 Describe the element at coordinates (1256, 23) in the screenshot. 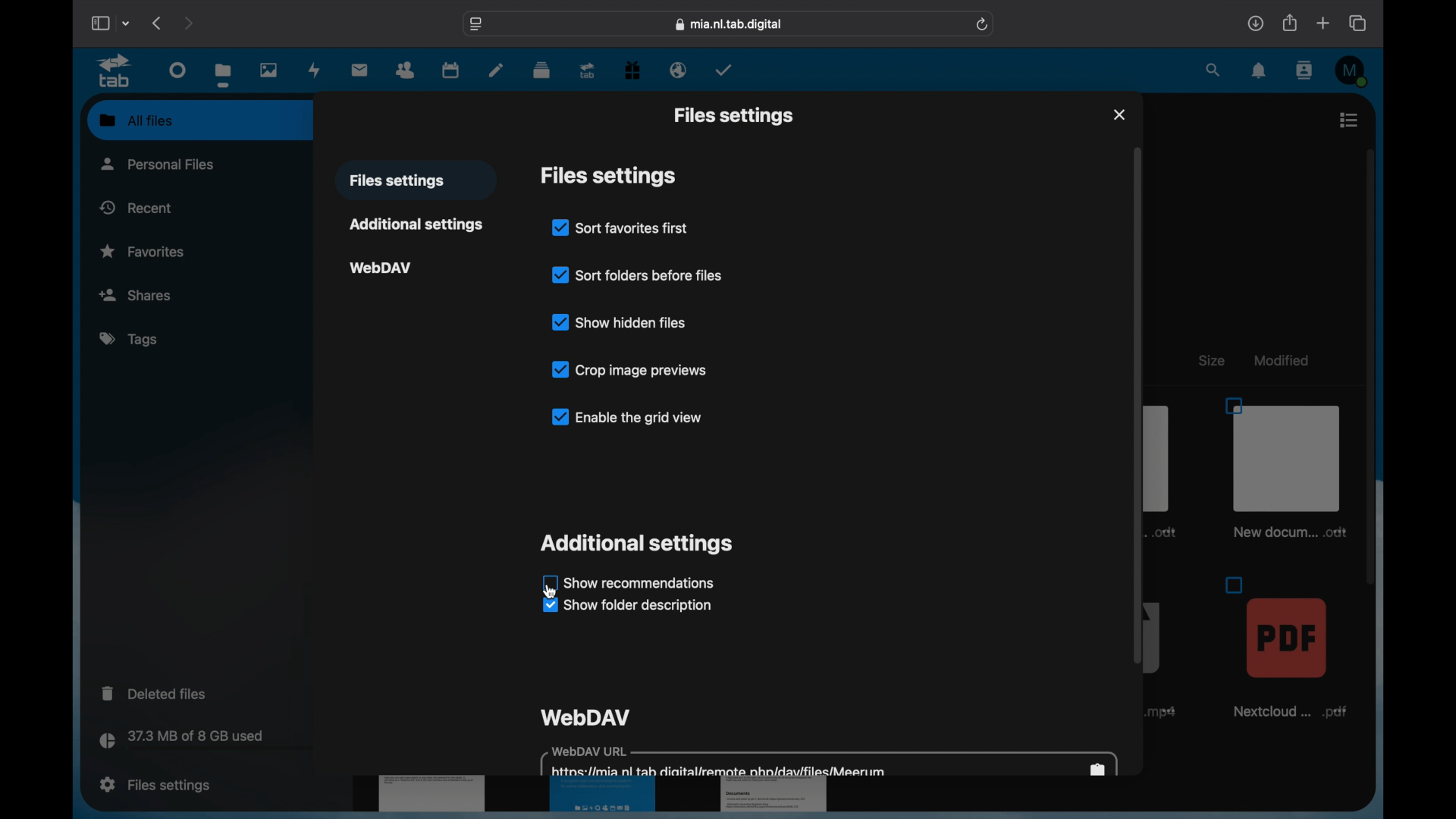

I see `downloads` at that location.